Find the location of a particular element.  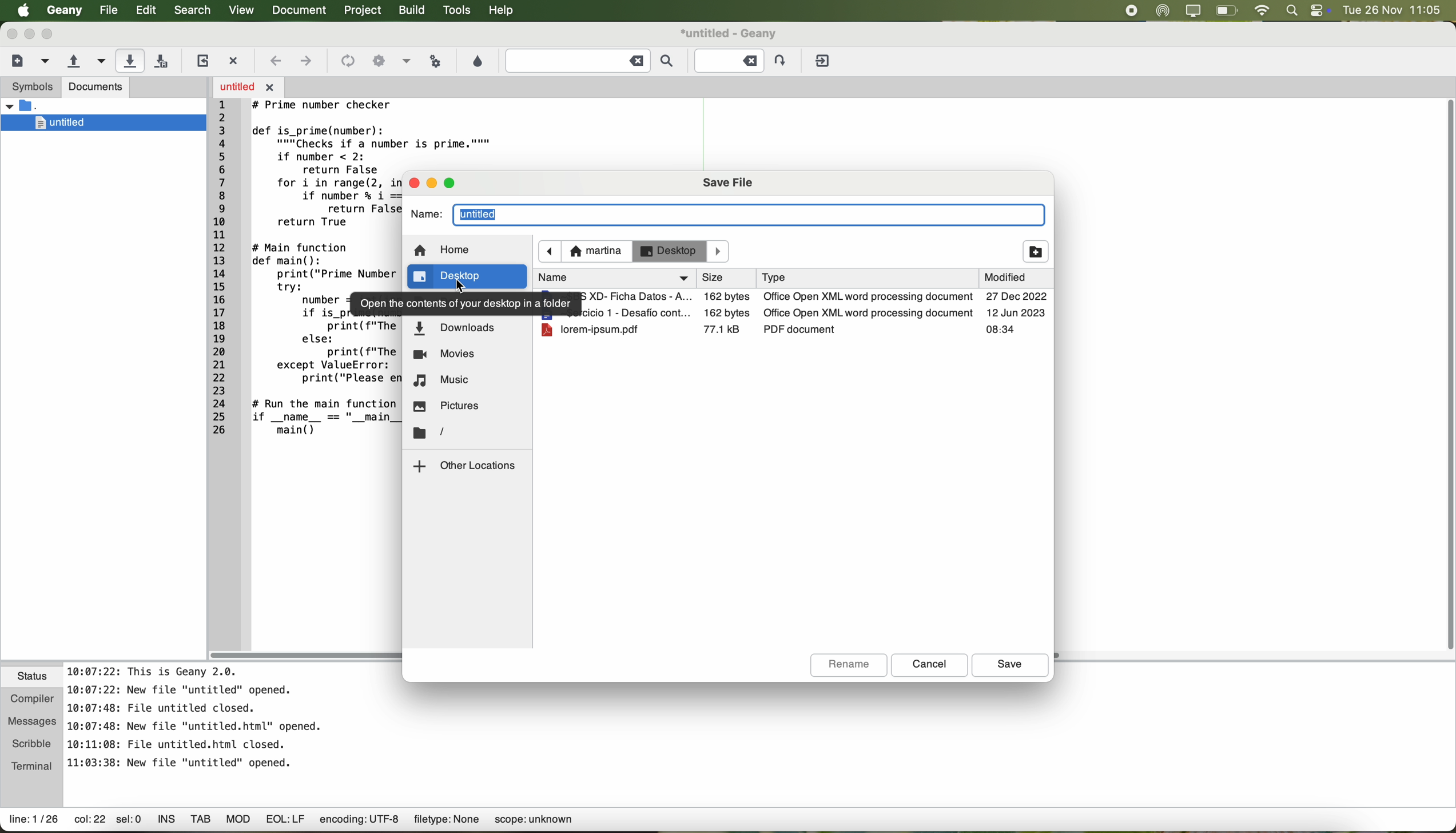

minimize Geany is located at coordinates (30, 33).